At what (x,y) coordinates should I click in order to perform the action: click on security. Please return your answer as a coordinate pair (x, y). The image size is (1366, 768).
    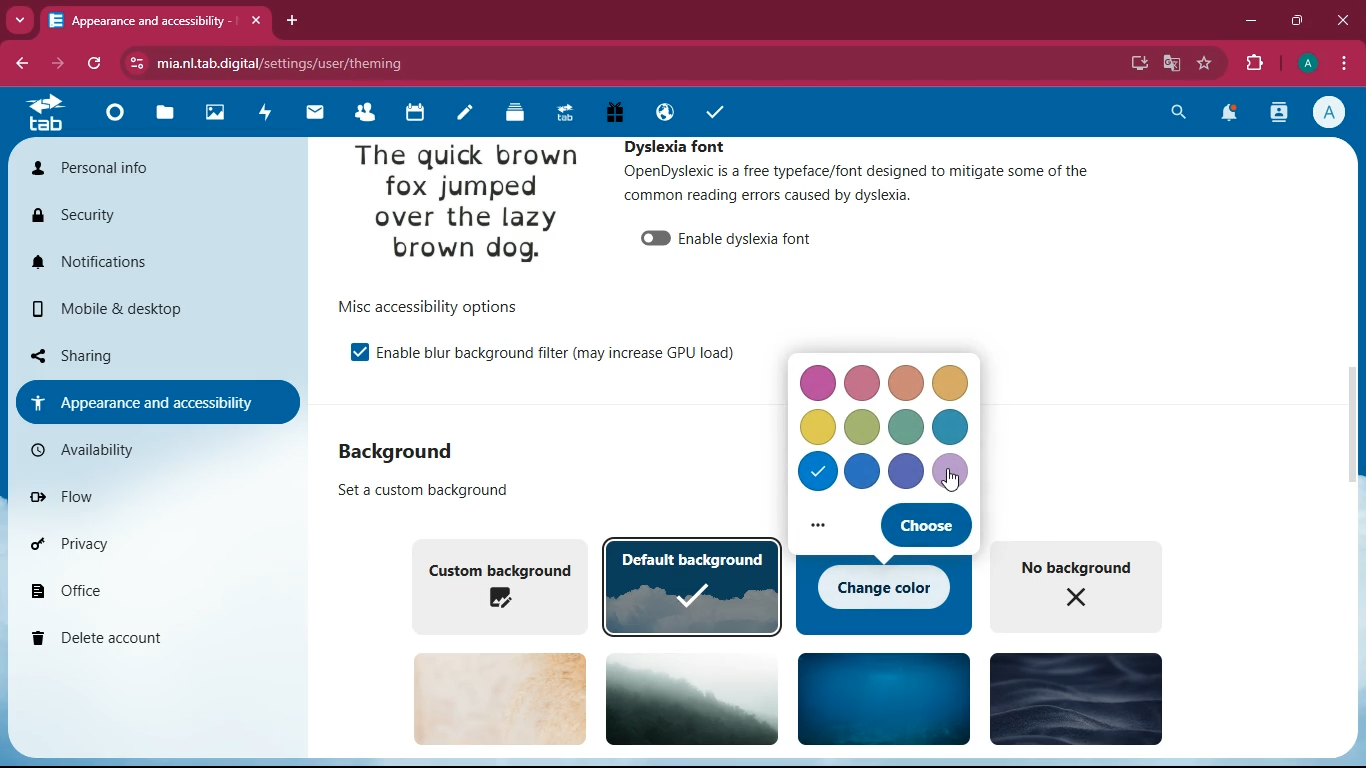
    Looking at the image, I should click on (113, 215).